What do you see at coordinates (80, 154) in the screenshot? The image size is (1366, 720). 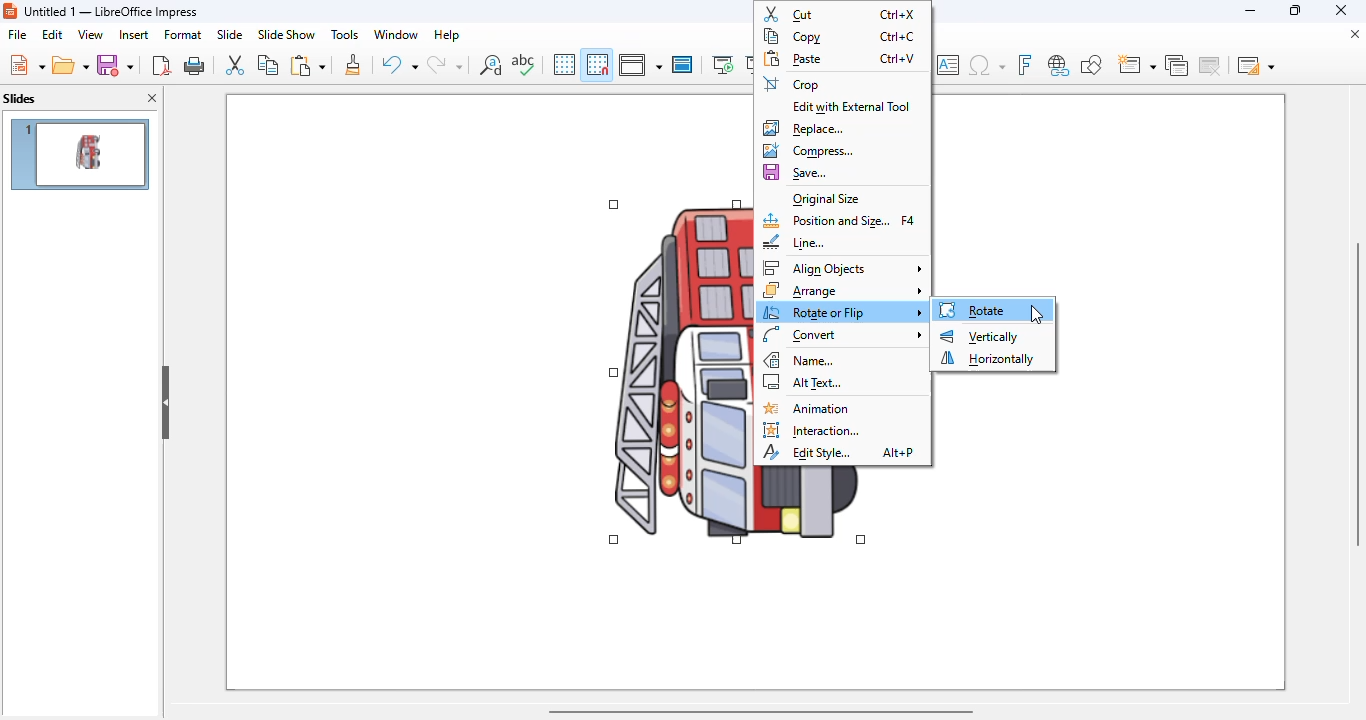 I see `slide 1` at bounding box center [80, 154].